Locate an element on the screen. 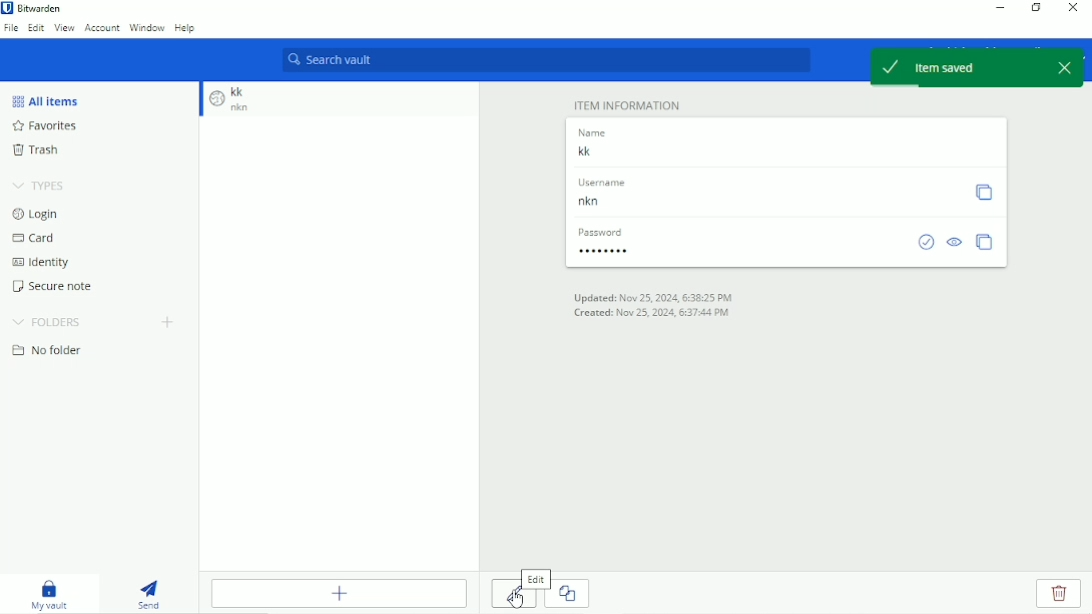 This screenshot has height=614, width=1092. Restore down is located at coordinates (1038, 8).